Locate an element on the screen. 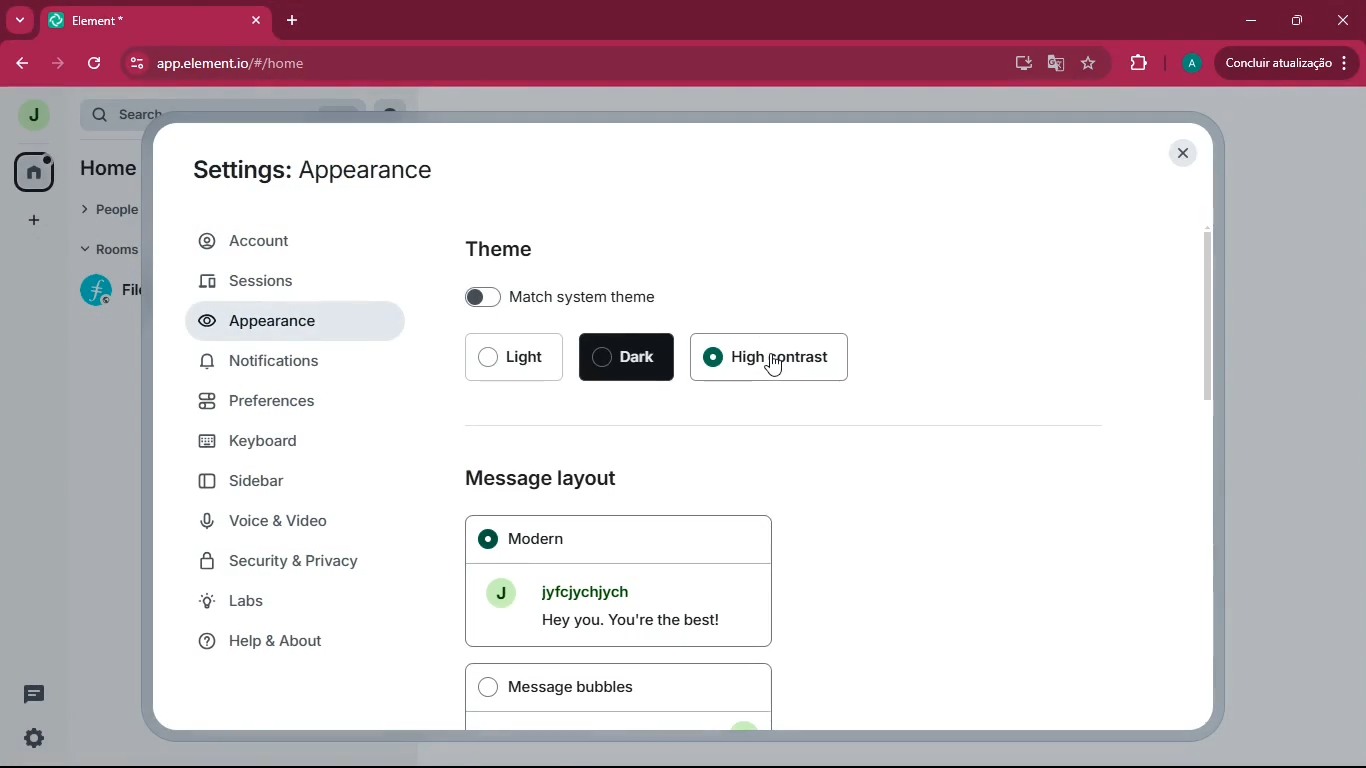 The width and height of the screenshot is (1366, 768). profile picture is located at coordinates (31, 115).